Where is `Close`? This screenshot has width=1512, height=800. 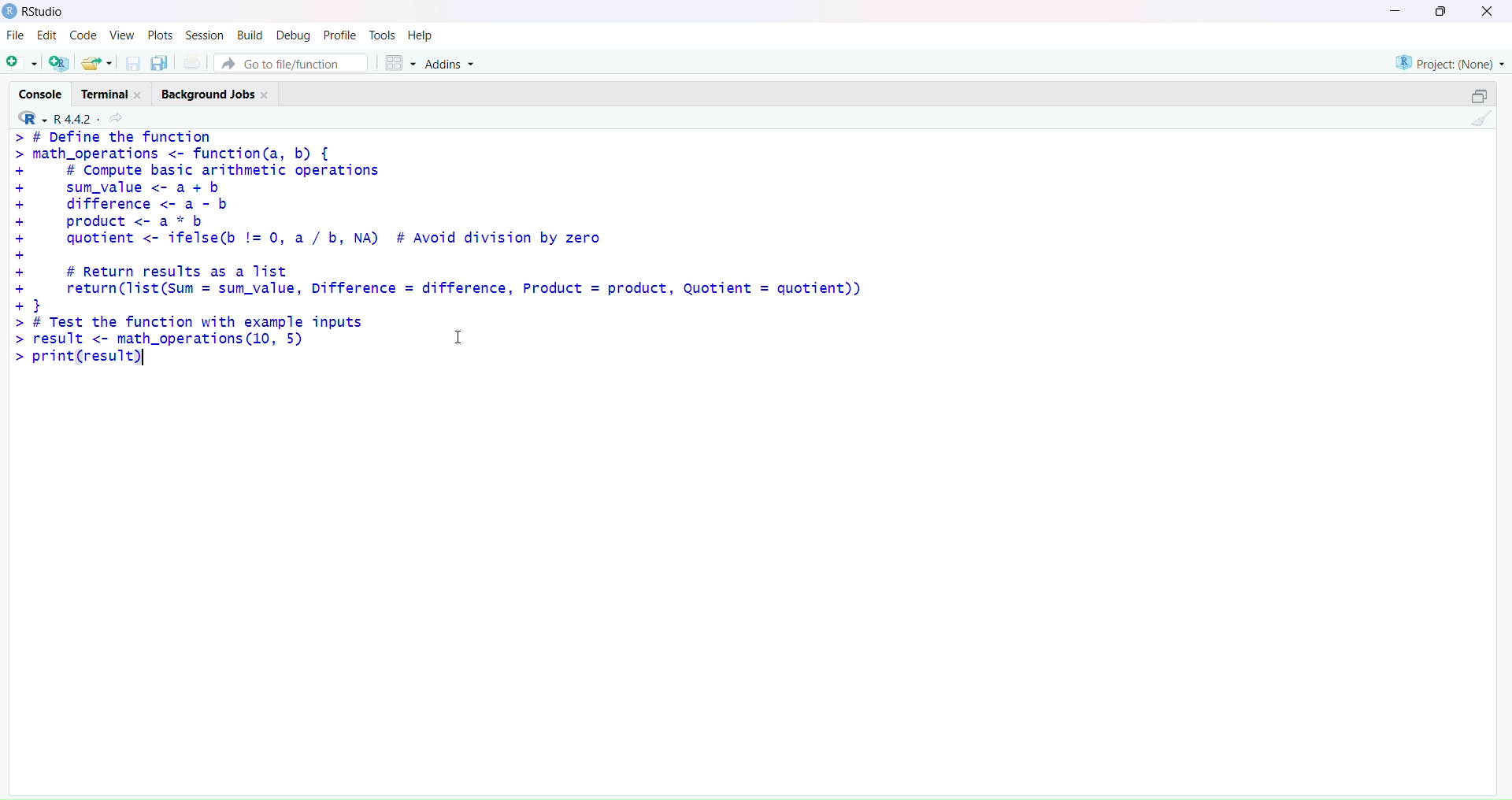 Close is located at coordinates (1484, 12).